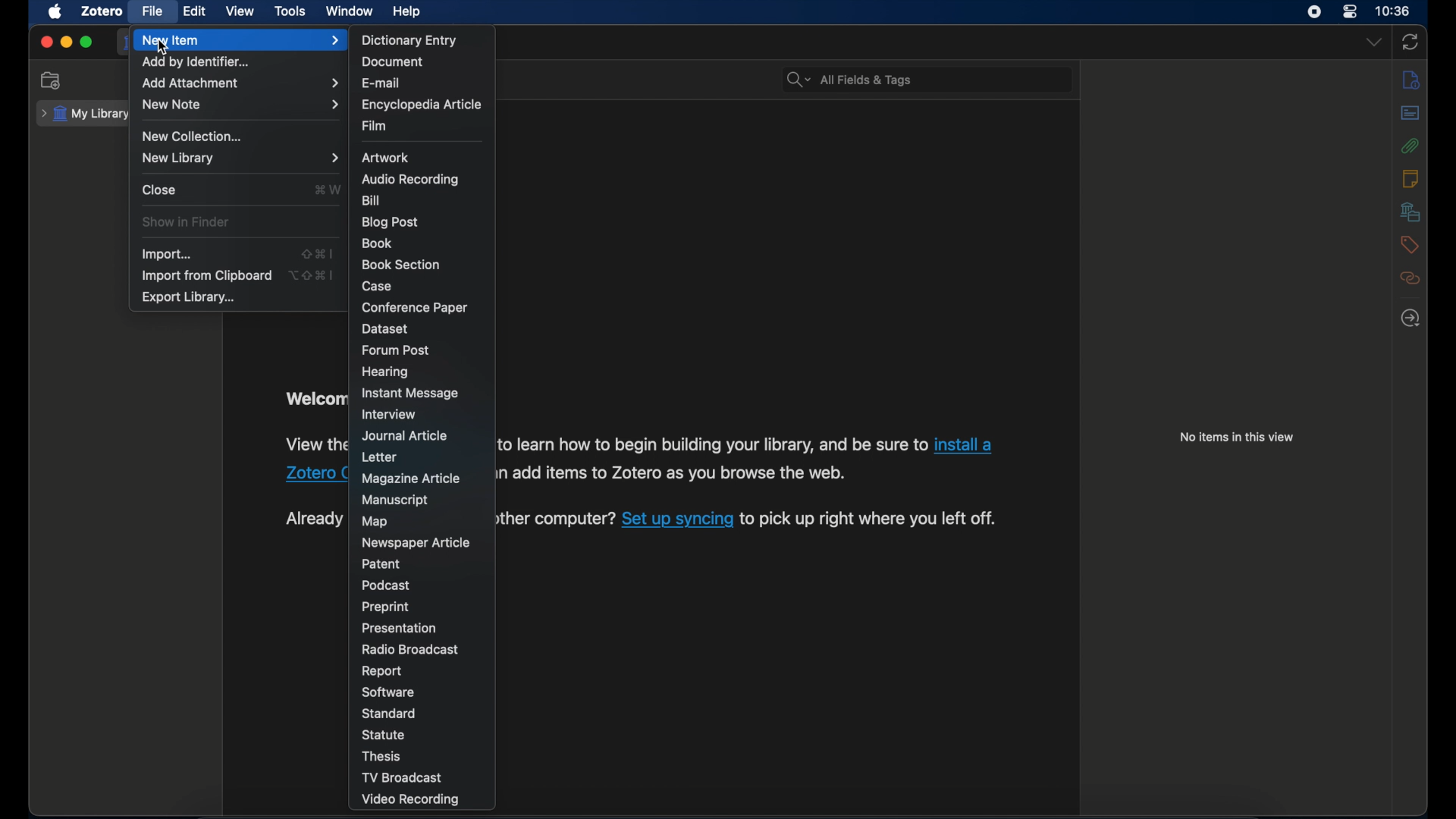  I want to click on manuscript, so click(397, 499).